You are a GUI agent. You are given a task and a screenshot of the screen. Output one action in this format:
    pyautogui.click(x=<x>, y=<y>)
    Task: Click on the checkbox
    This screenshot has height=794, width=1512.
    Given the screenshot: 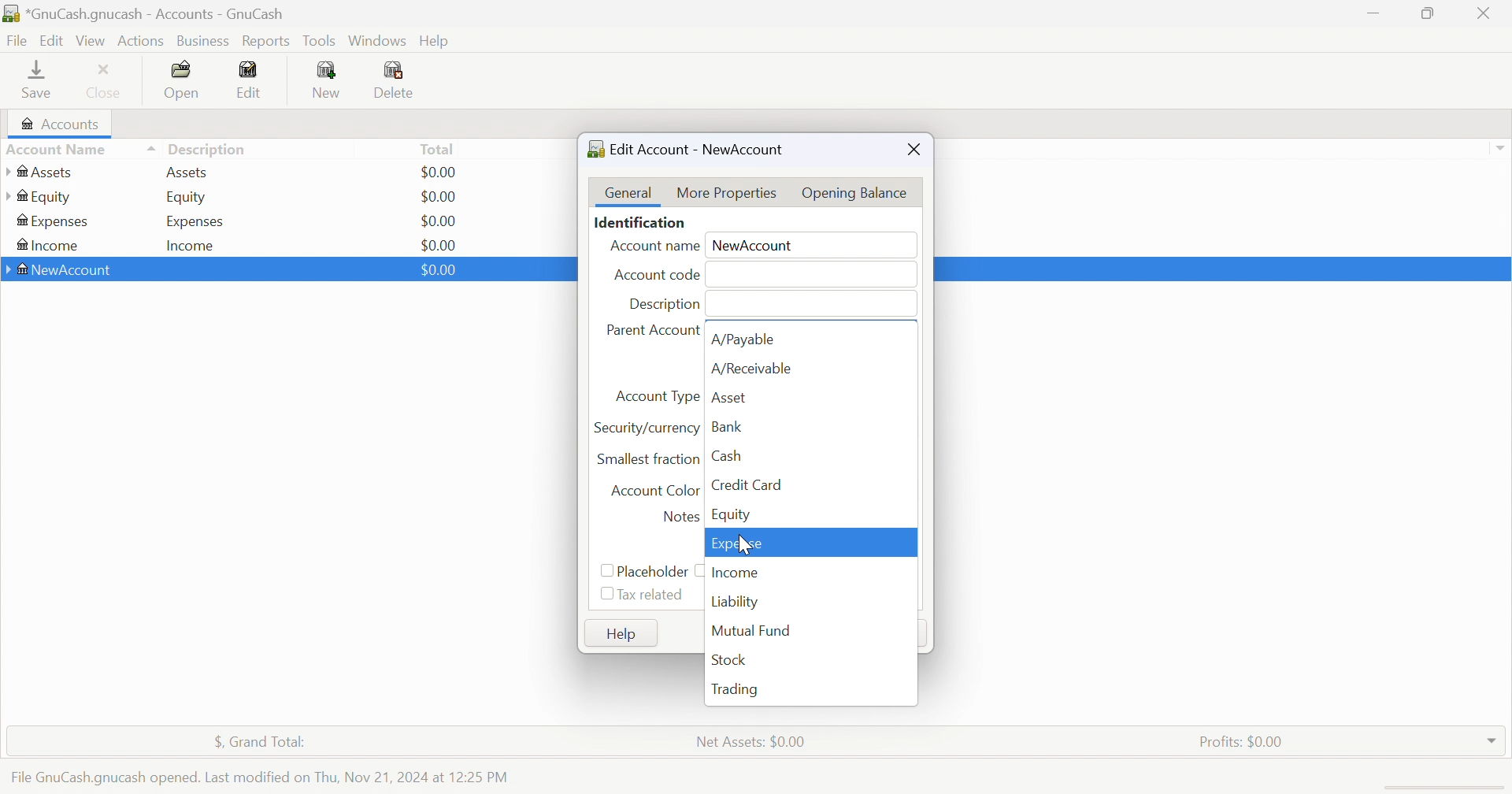 What is the action you would take?
    pyautogui.click(x=700, y=572)
    